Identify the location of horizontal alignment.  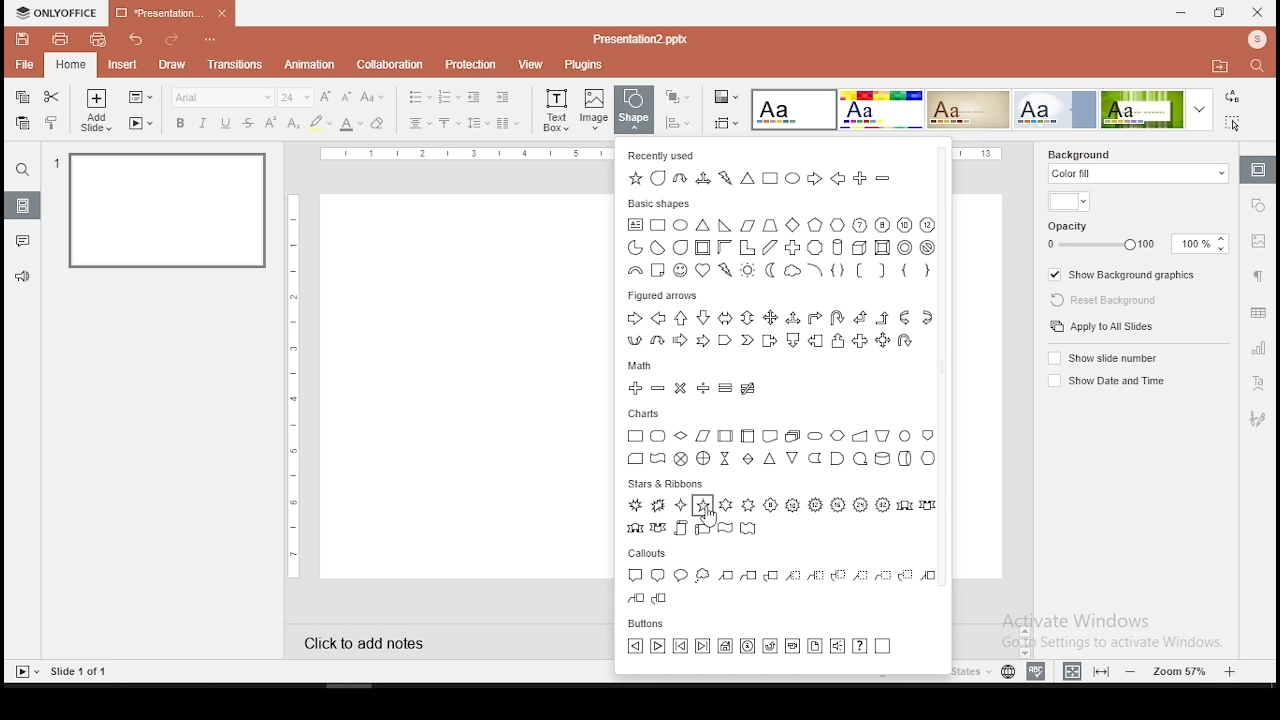
(420, 124).